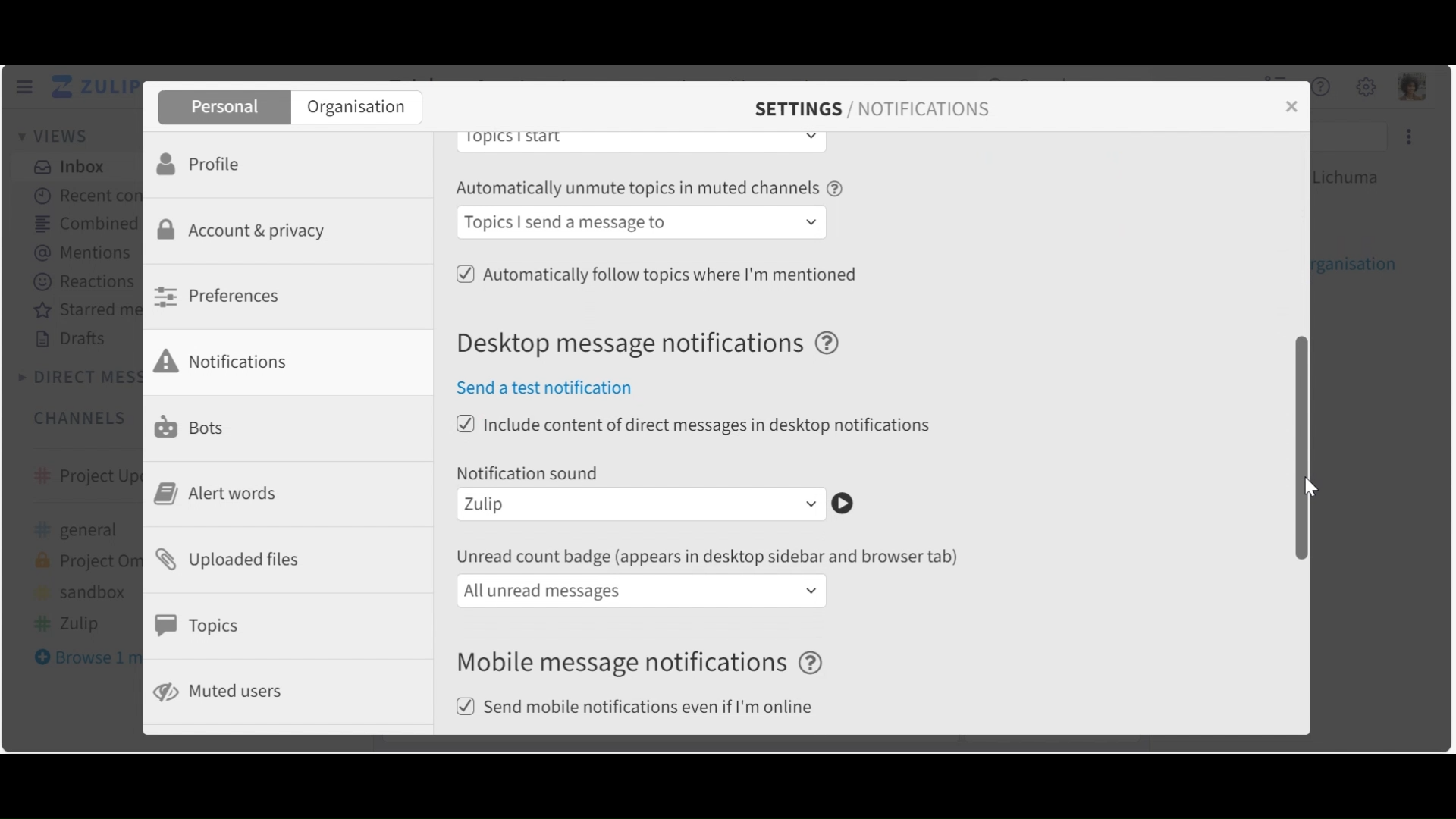 The height and width of the screenshot is (819, 1456). What do you see at coordinates (695, 425) in the screenshot?
I see `(un)select include content of direct messages in desktop notifications` at bounding box center [695, 425].